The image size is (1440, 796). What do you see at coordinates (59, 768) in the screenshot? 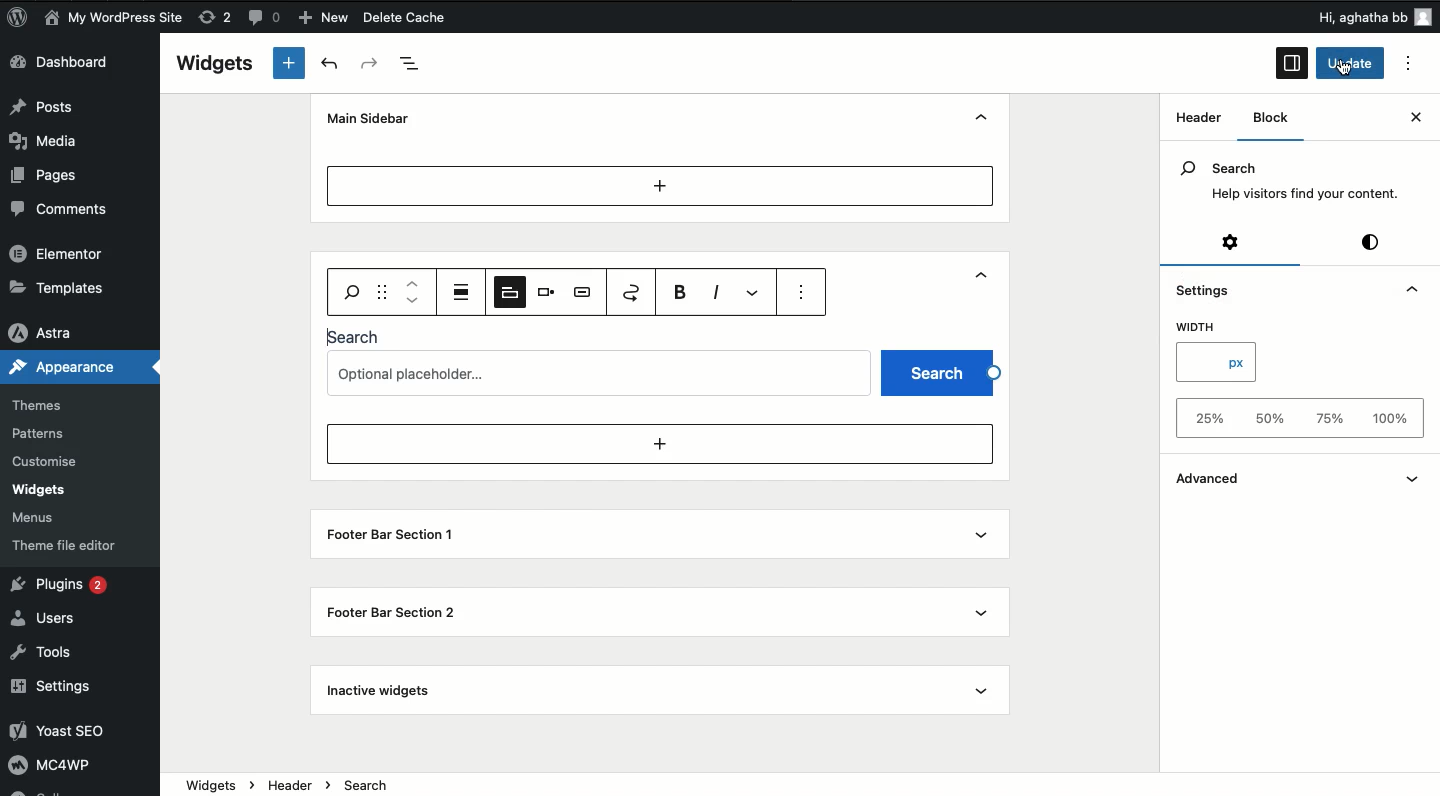
I see `MC4WP` at bounding box center [59, 768].